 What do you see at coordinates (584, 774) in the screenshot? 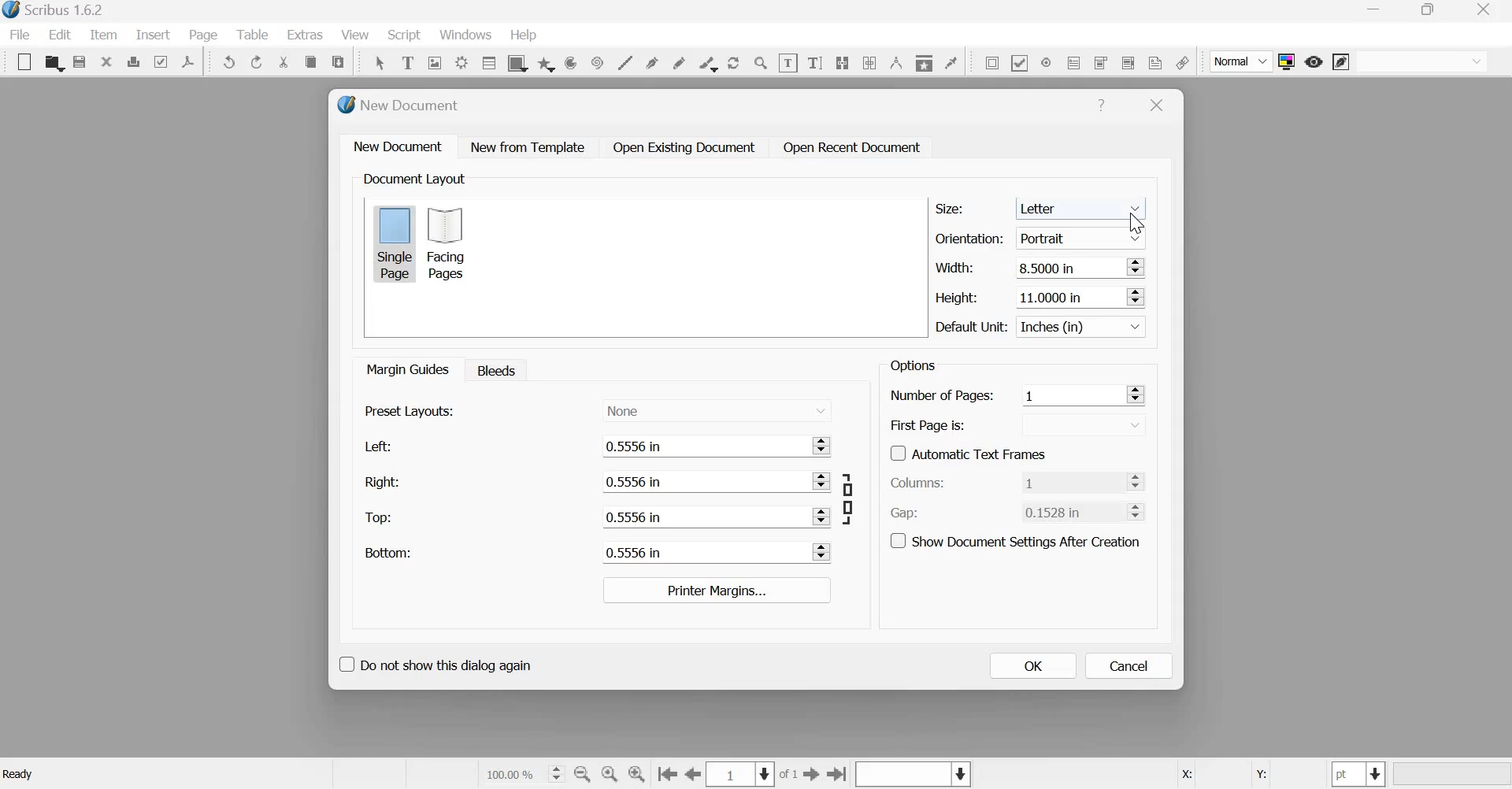
I see `zoom out by the stepping values in tool preferences` at bounding box center [584, 774].